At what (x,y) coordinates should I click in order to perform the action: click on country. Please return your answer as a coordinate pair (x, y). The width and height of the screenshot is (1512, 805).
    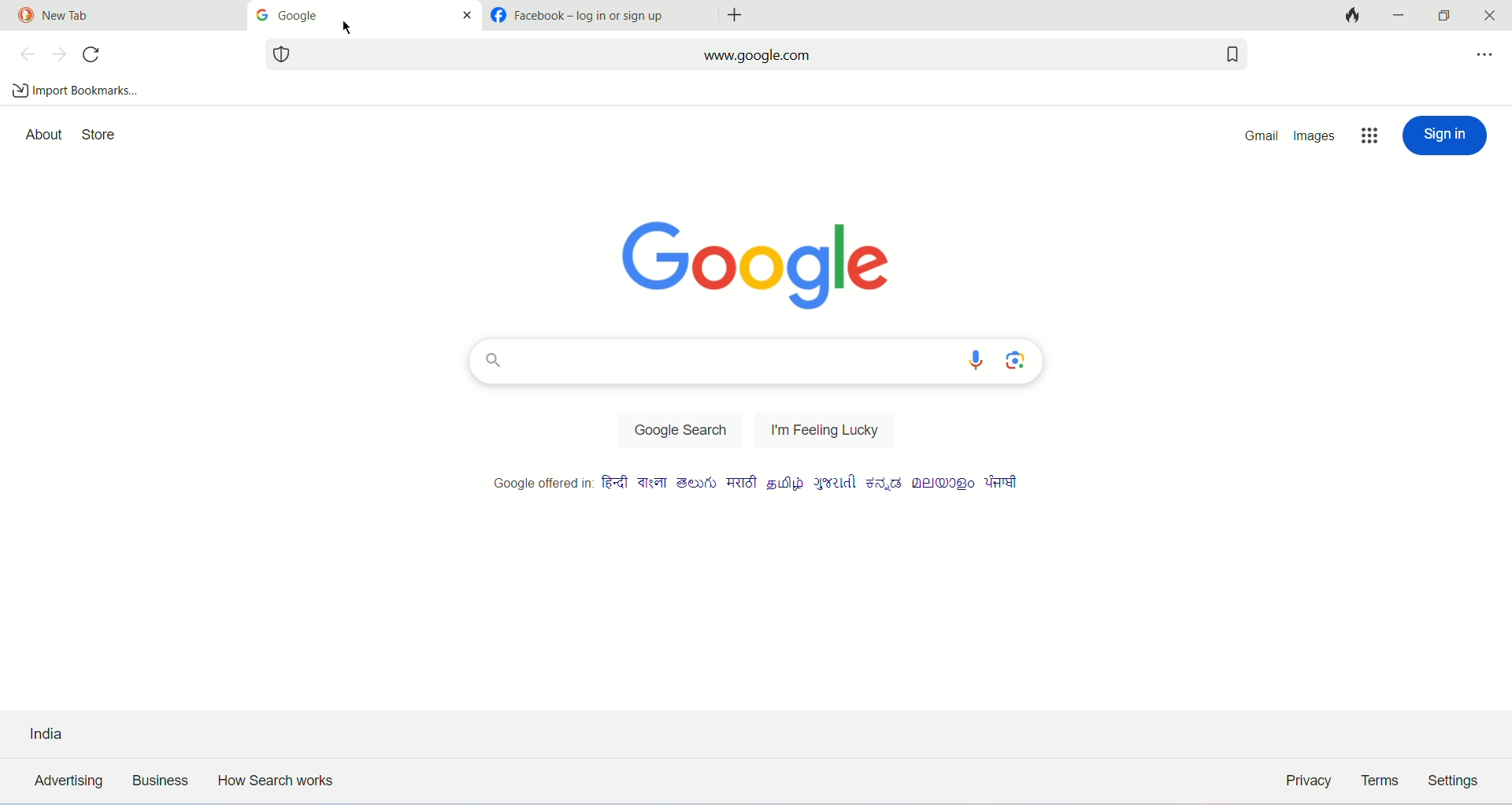
    Looking at the image, I should click on (79, 732).